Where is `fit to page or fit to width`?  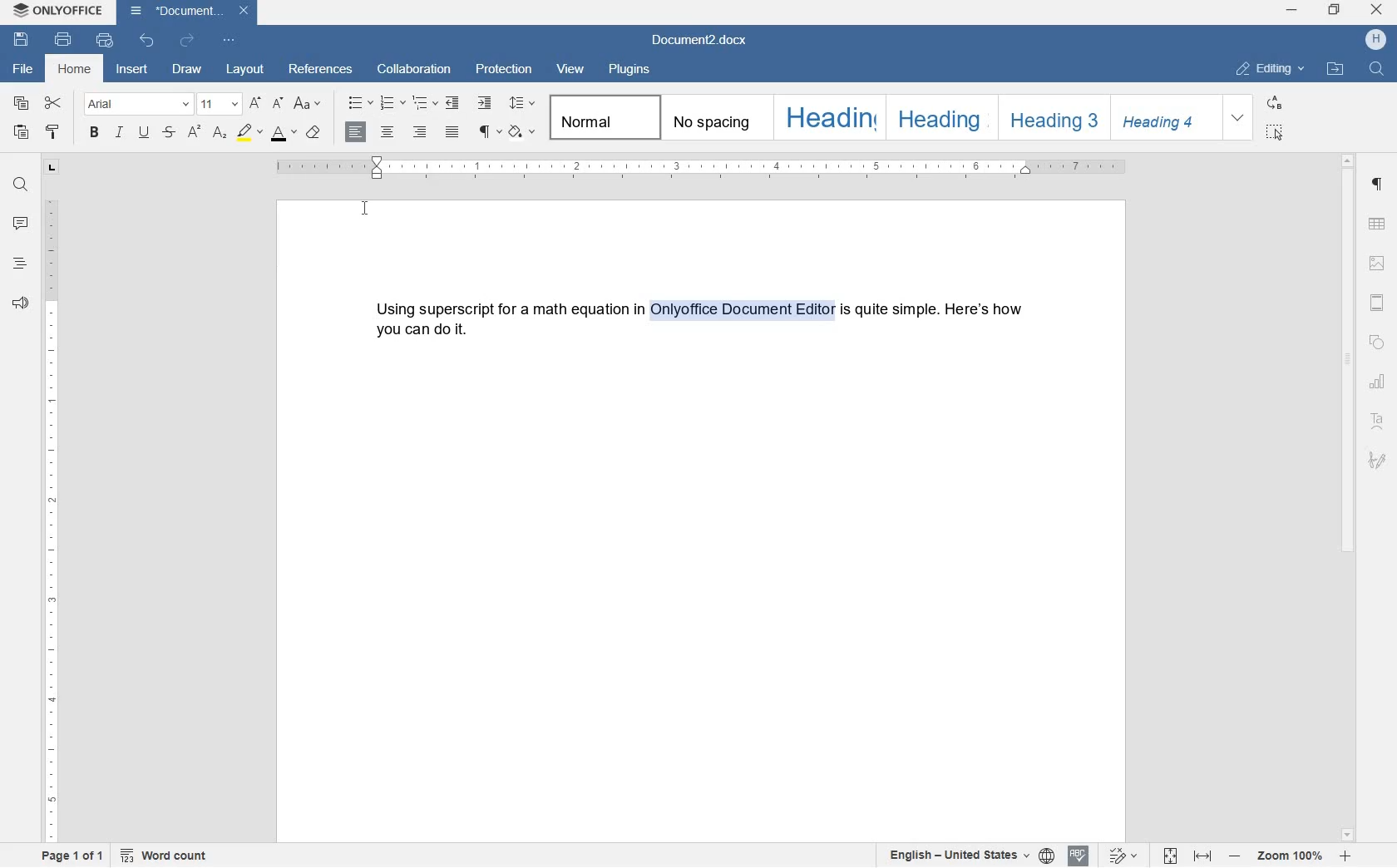
fit to page or fit to width is located at coordinates (1190, 856).